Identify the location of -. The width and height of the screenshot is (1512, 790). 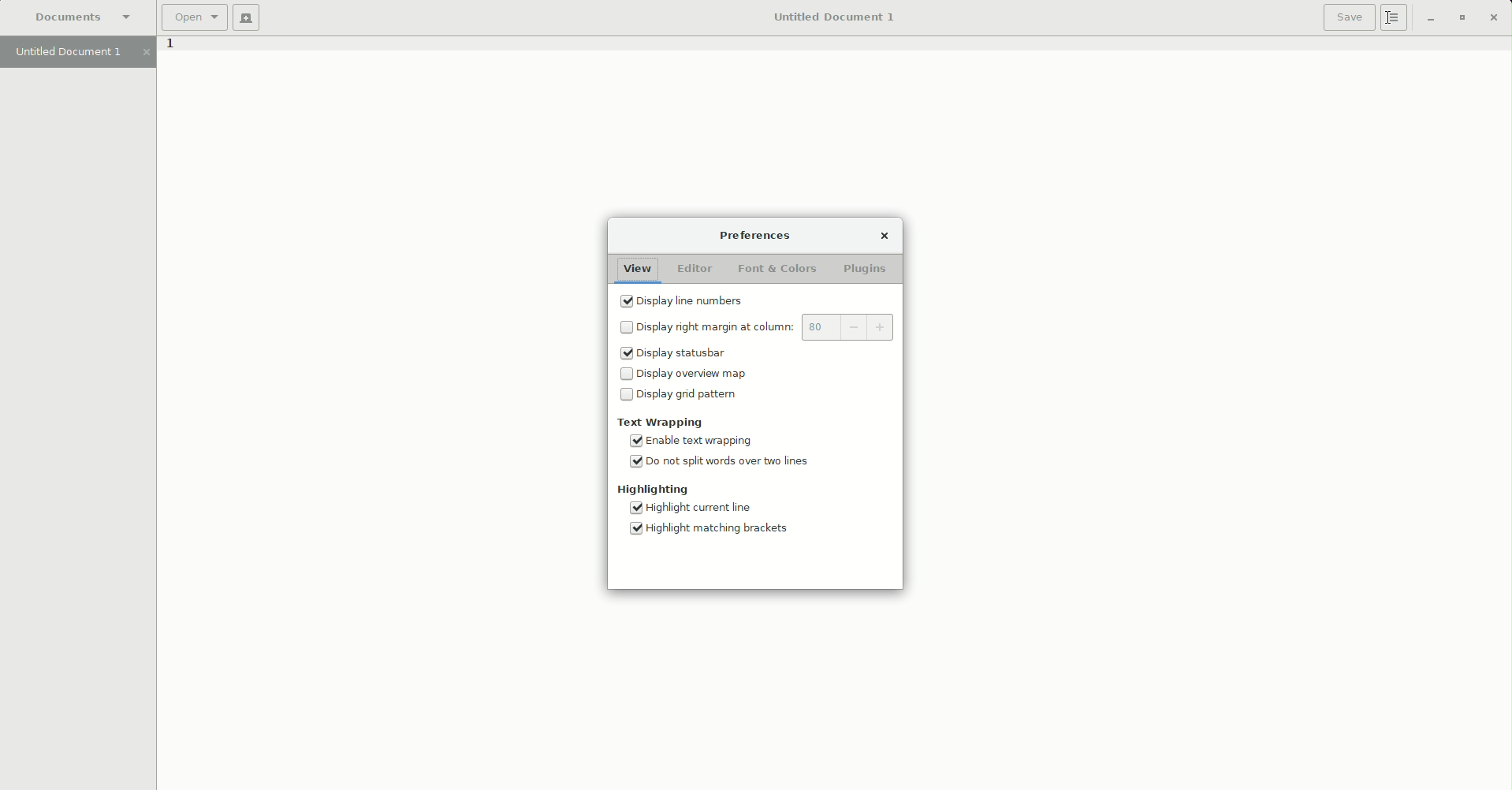
(853, 328).